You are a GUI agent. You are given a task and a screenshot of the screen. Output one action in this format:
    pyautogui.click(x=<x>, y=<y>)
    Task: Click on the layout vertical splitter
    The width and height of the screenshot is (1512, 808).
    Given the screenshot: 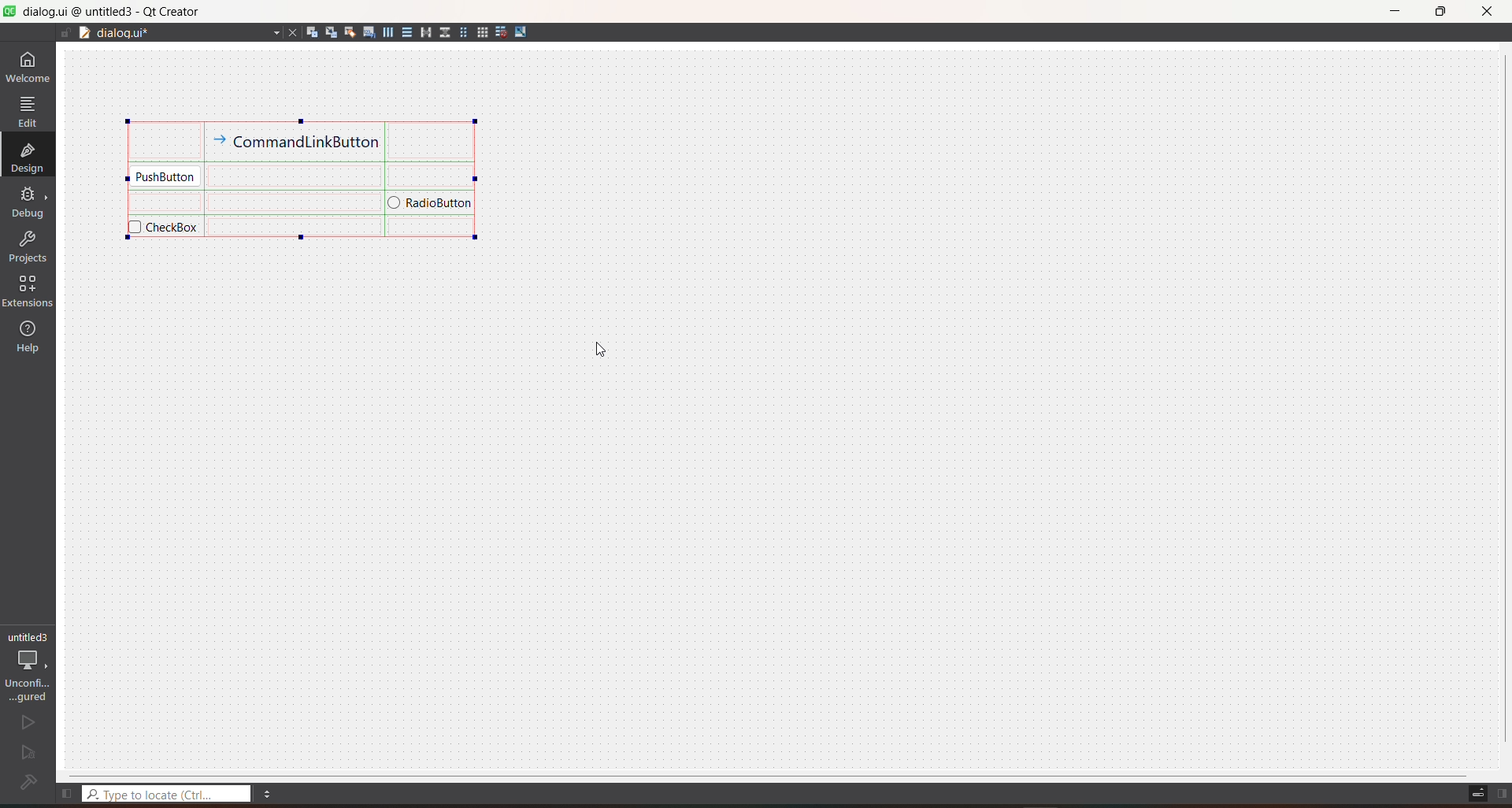 What is the action you would take?
    pyautogui.click(x=443, y=33)
    